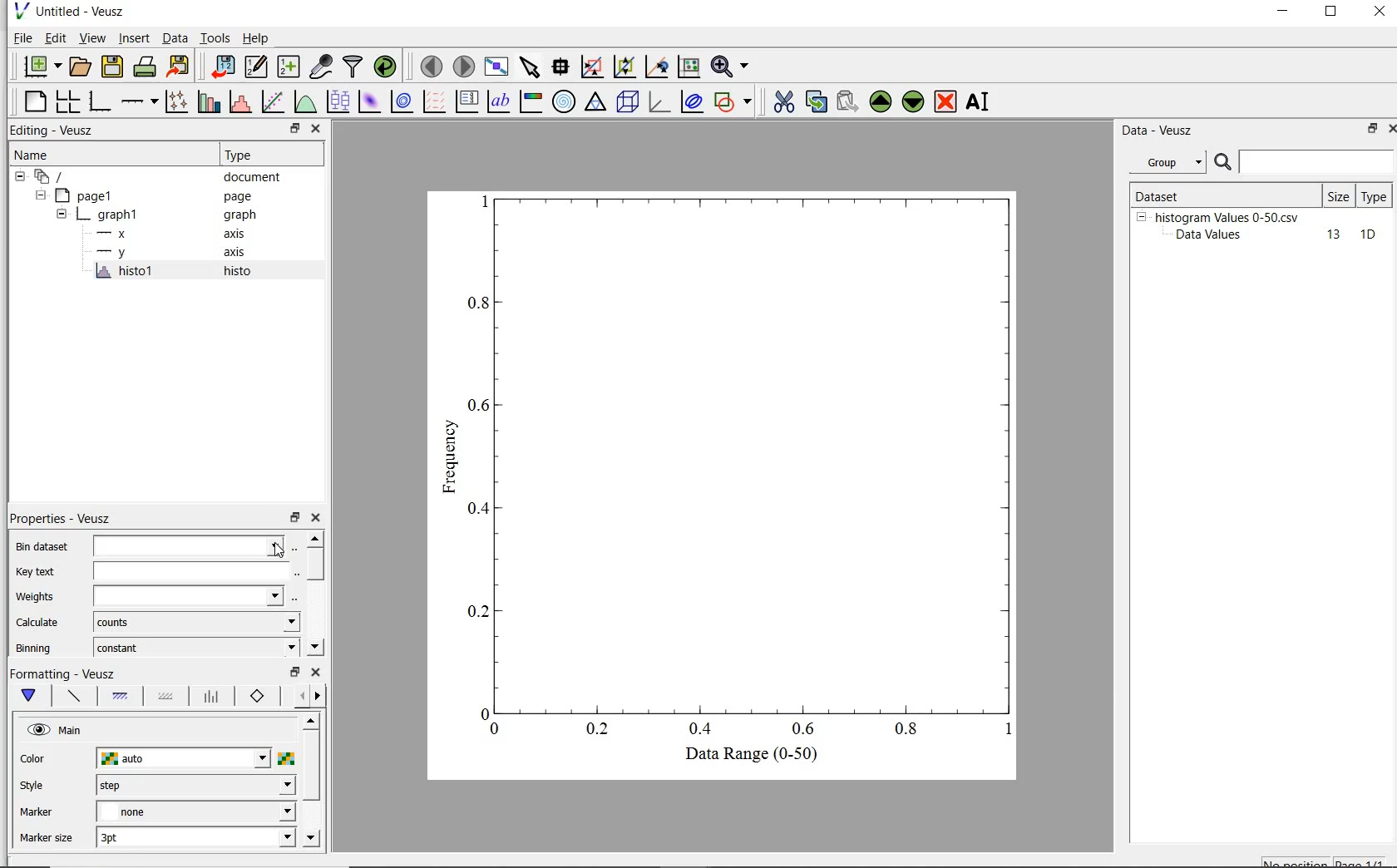  What do you see at coordinates (782, 104) in the screenshot?
I see `cut the the selected widget` at bounding box center [782, 104].